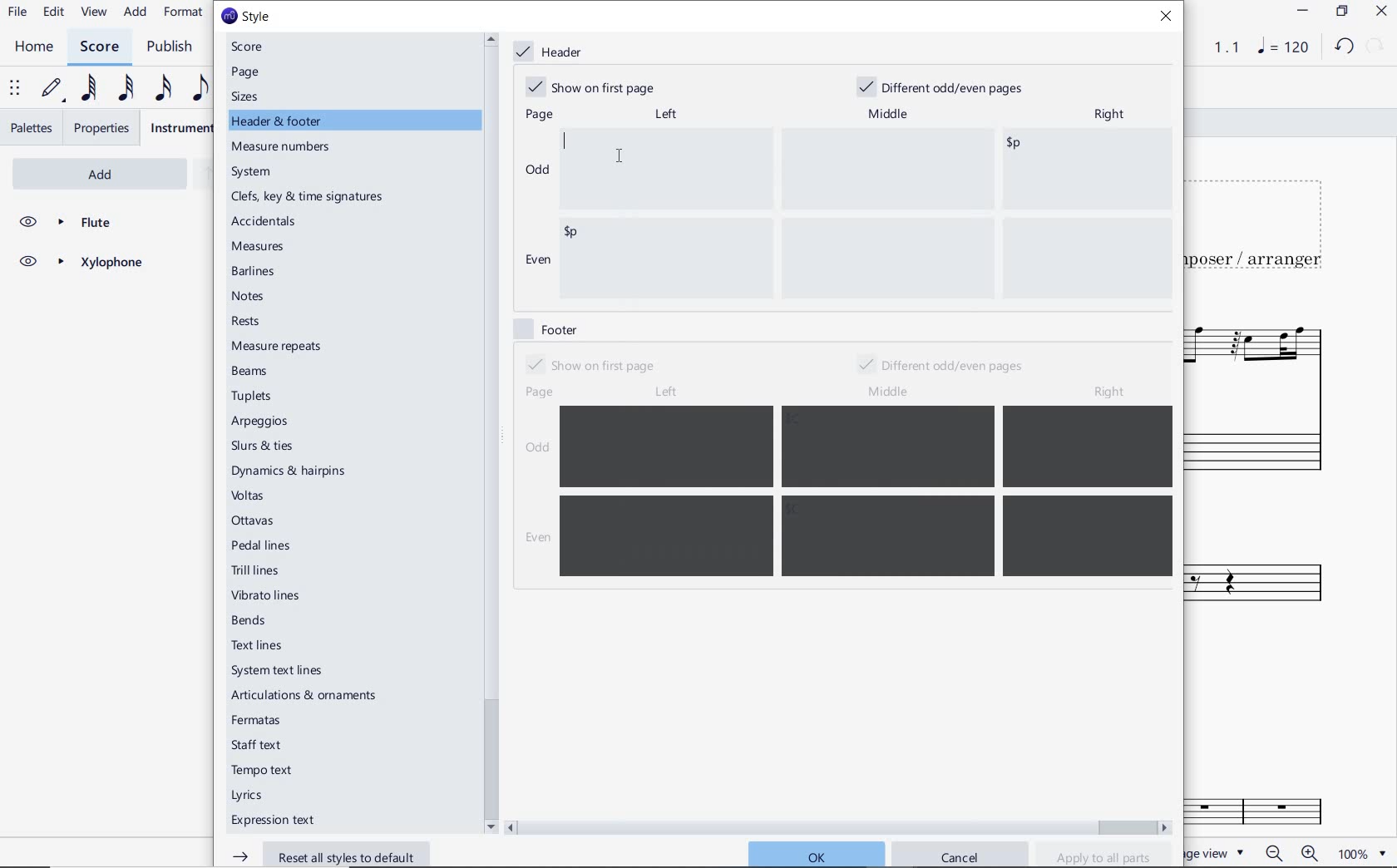  What do you see at coordinates (136, 12) in the screenshot?
I see `ADD` at bounding box center [136, 12].